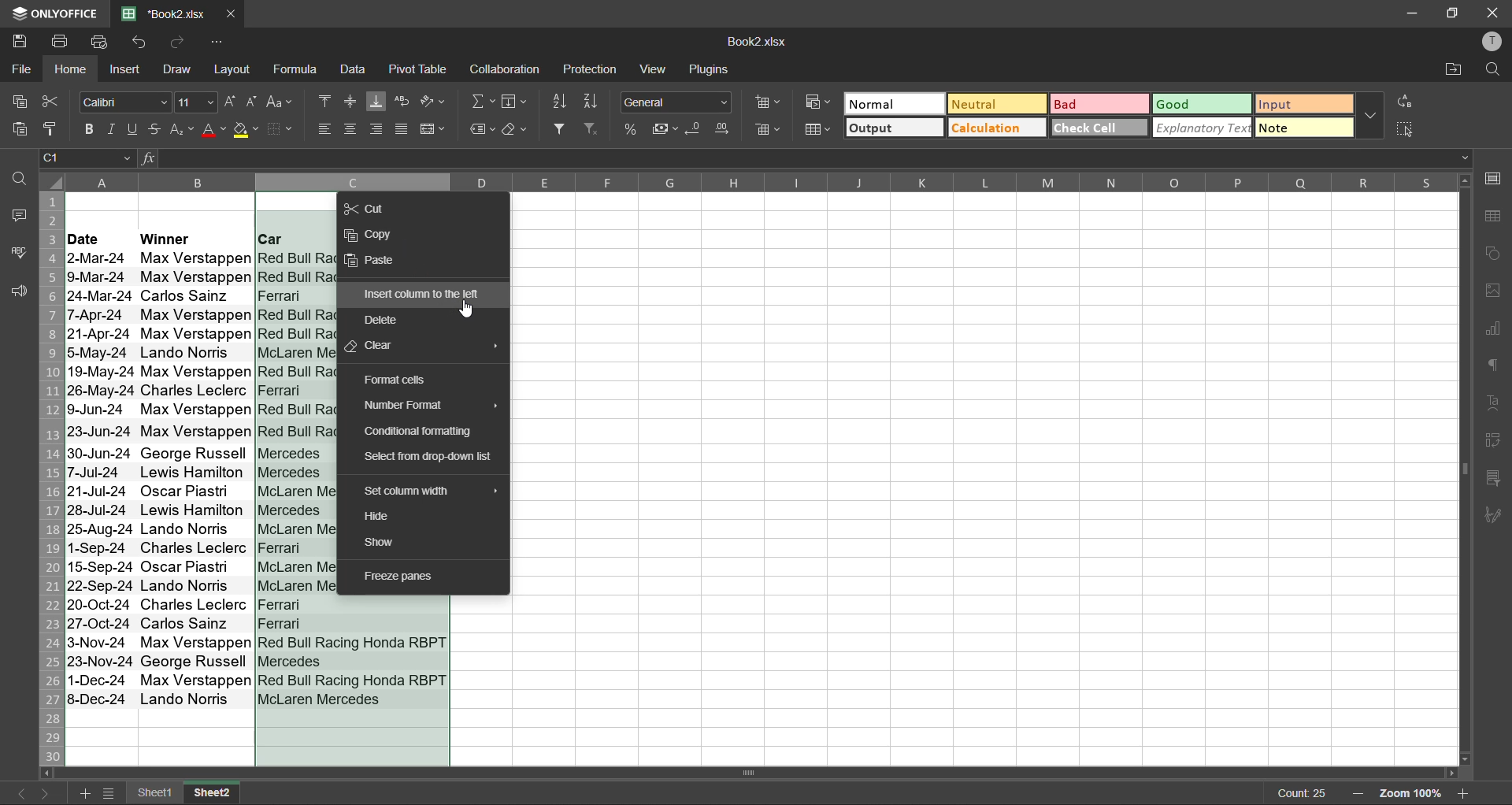 The width and height of the screenshot is (1512, 805). Describe the element at coordinates (403, 129) in the screenshot. I see `justified` at that location.